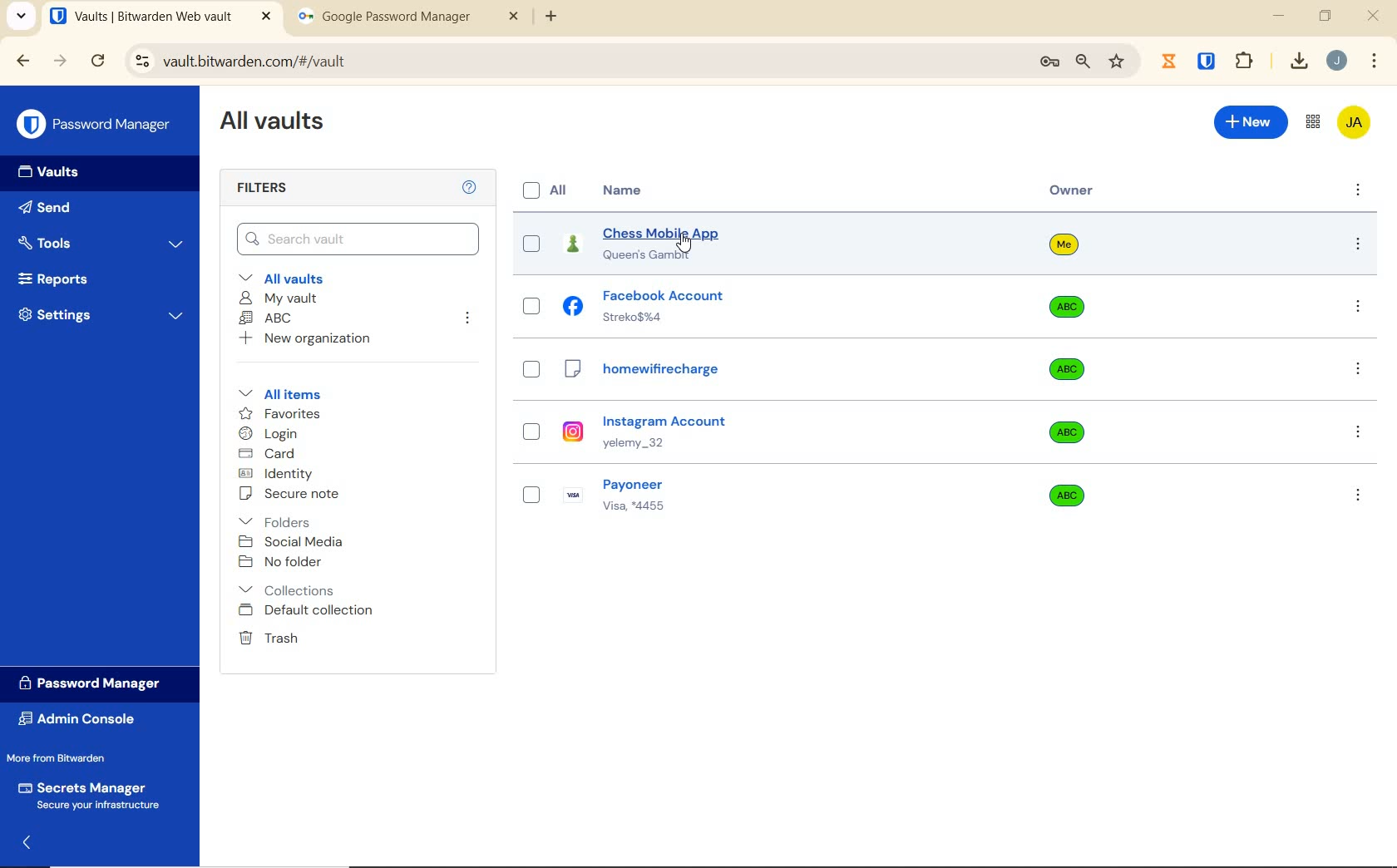  What do you see at coordinates (99, 62) in the screenshot?
I see `reload` at bounding box center [99, 62].